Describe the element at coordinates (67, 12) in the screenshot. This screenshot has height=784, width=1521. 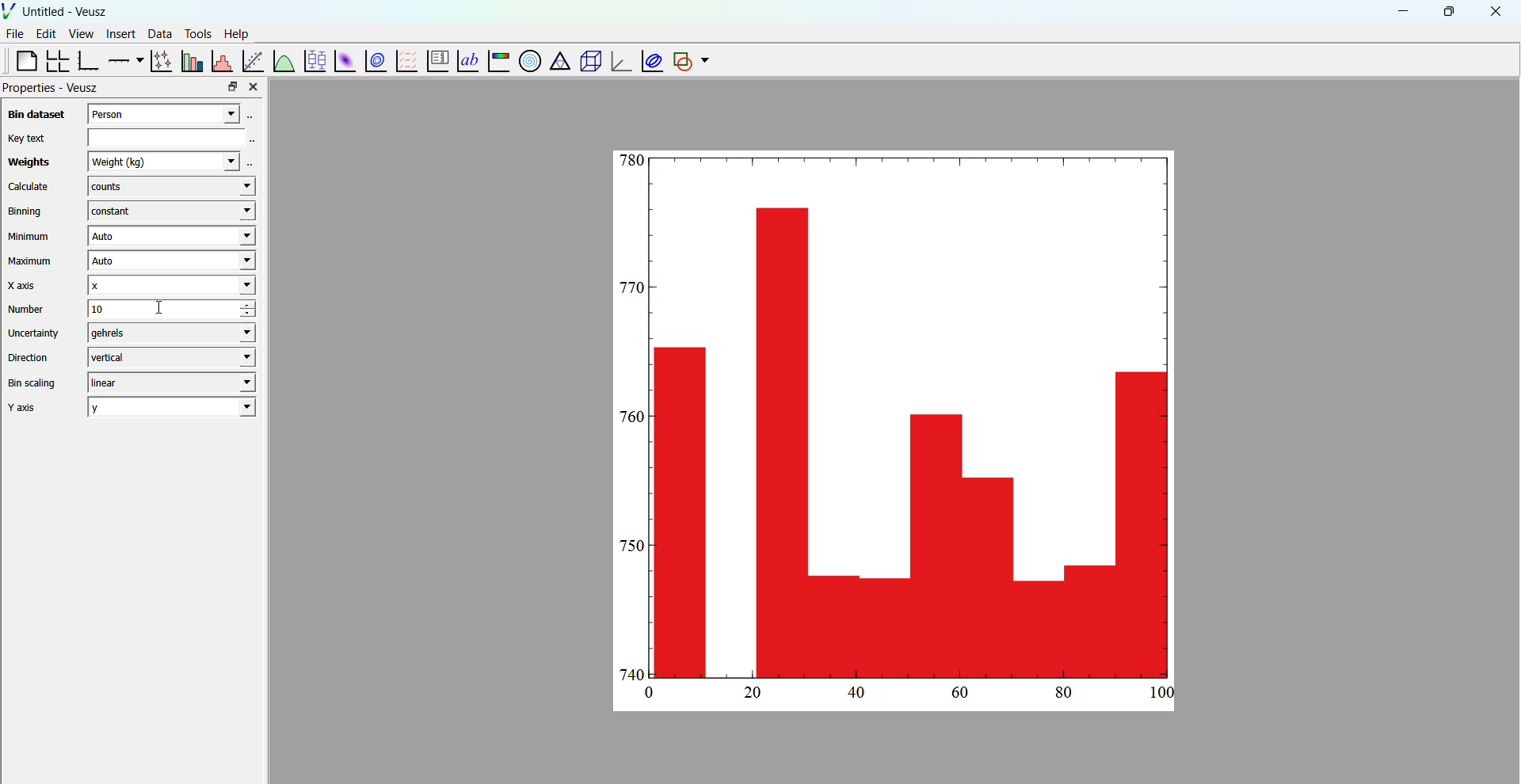
I see `Untitled - Veusz` at that location.